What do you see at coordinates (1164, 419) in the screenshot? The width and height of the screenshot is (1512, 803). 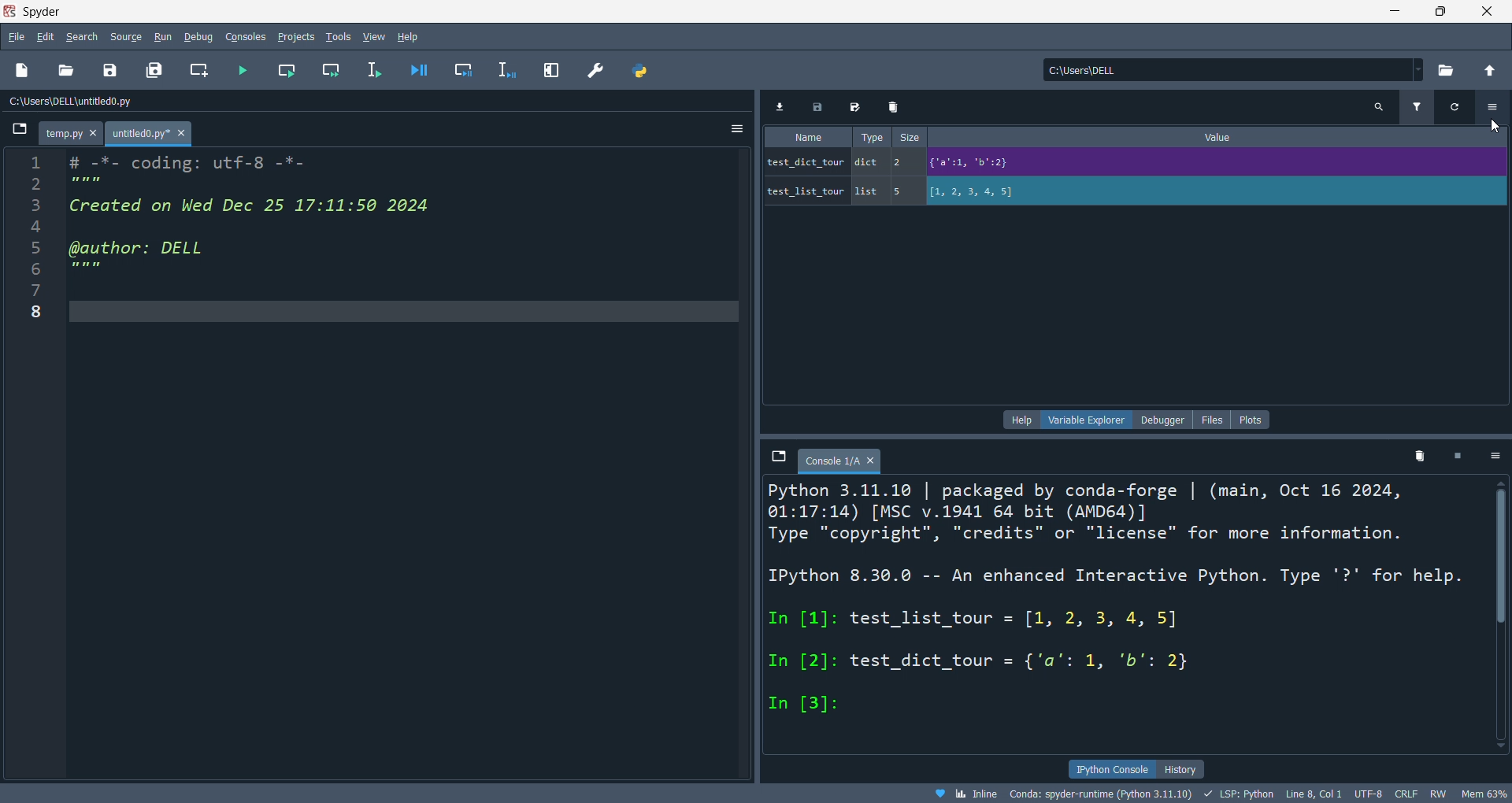 I see `debugger` at bounding box center [1164, 419].